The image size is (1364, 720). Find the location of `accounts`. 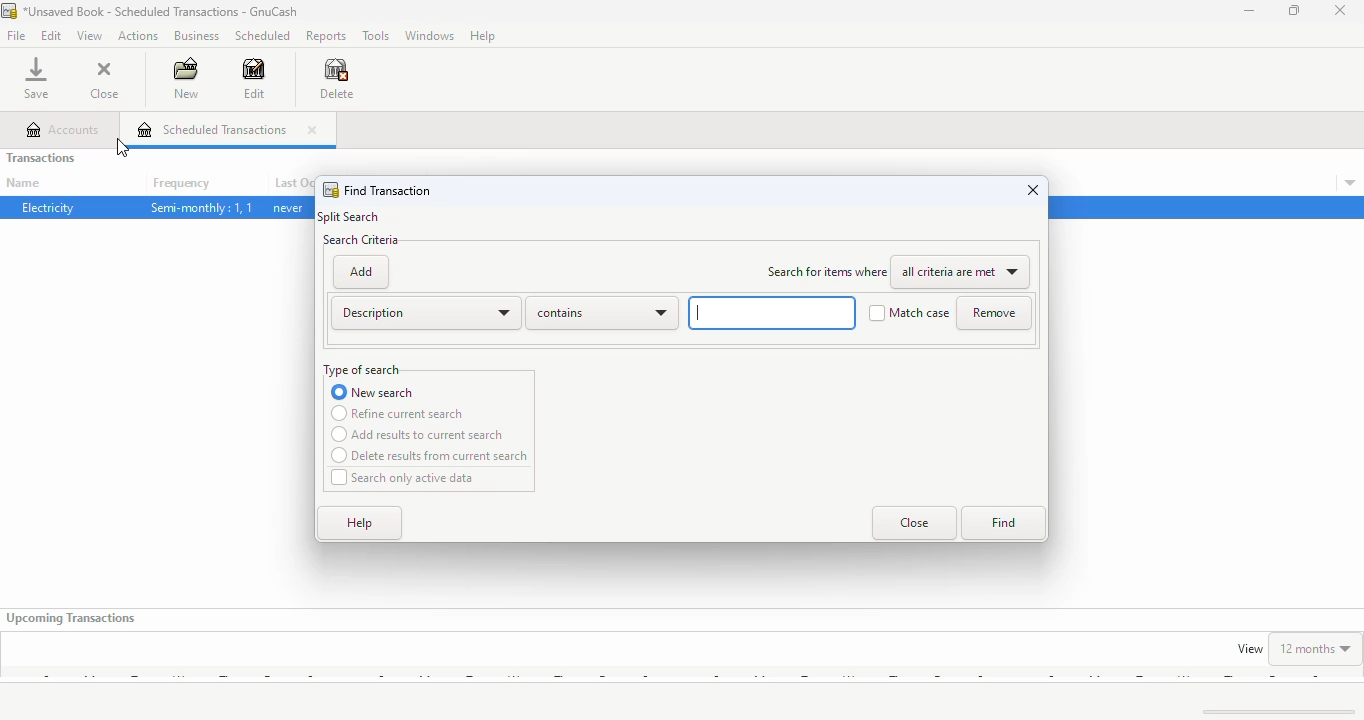

accounts is located at coordinates (64, 130).